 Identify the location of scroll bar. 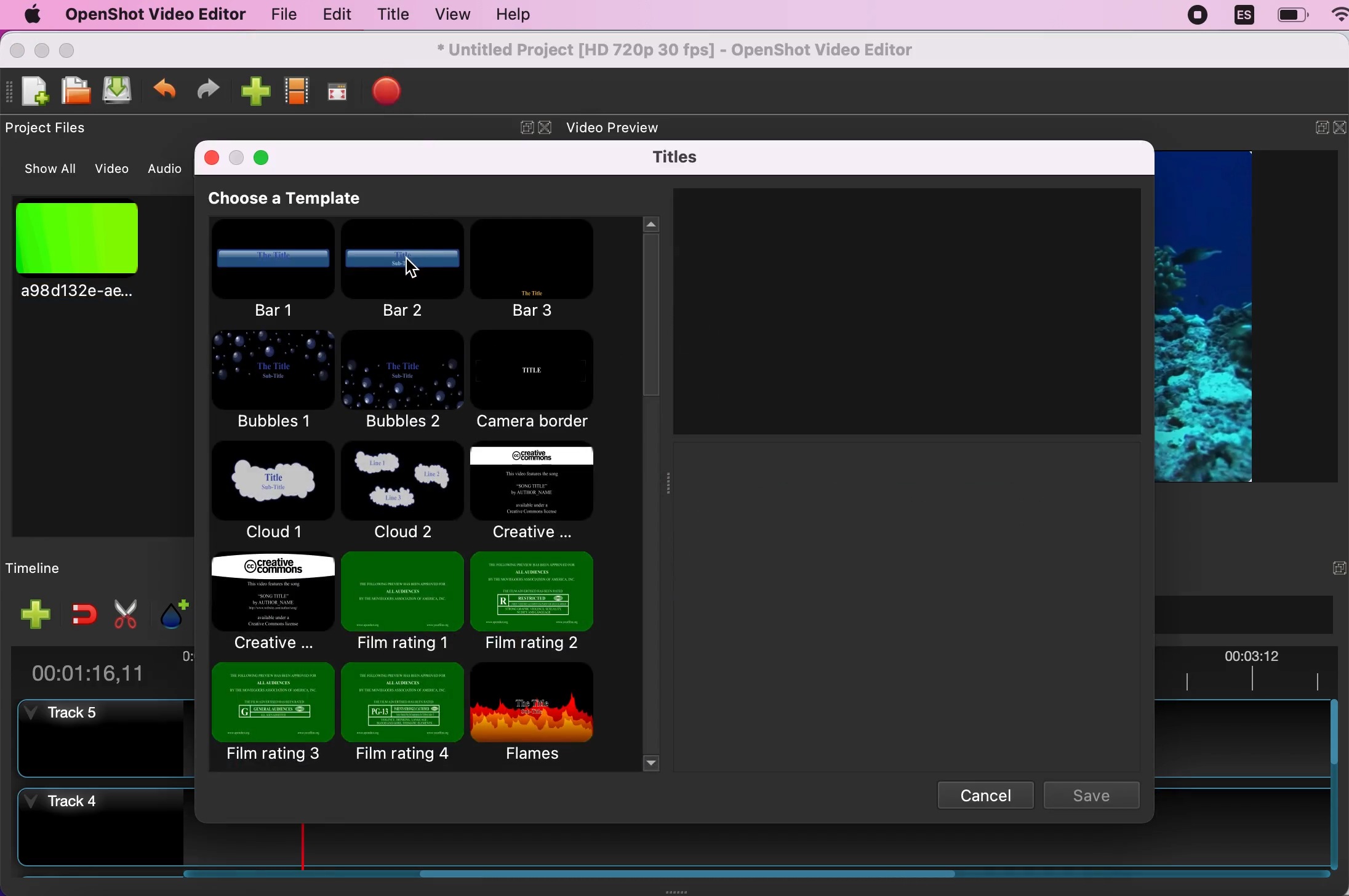
(1334, 787).